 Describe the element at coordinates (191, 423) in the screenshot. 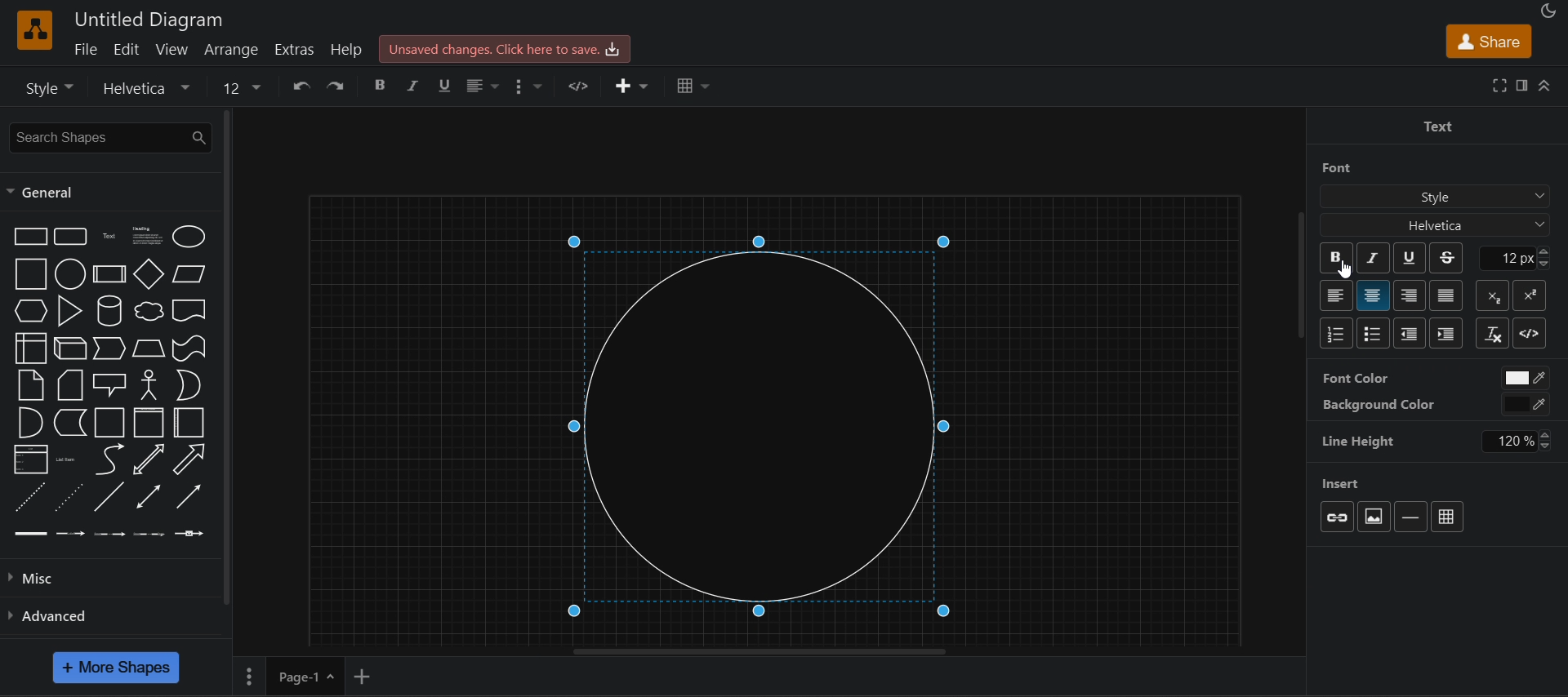

I see `horizontal container` at that location.